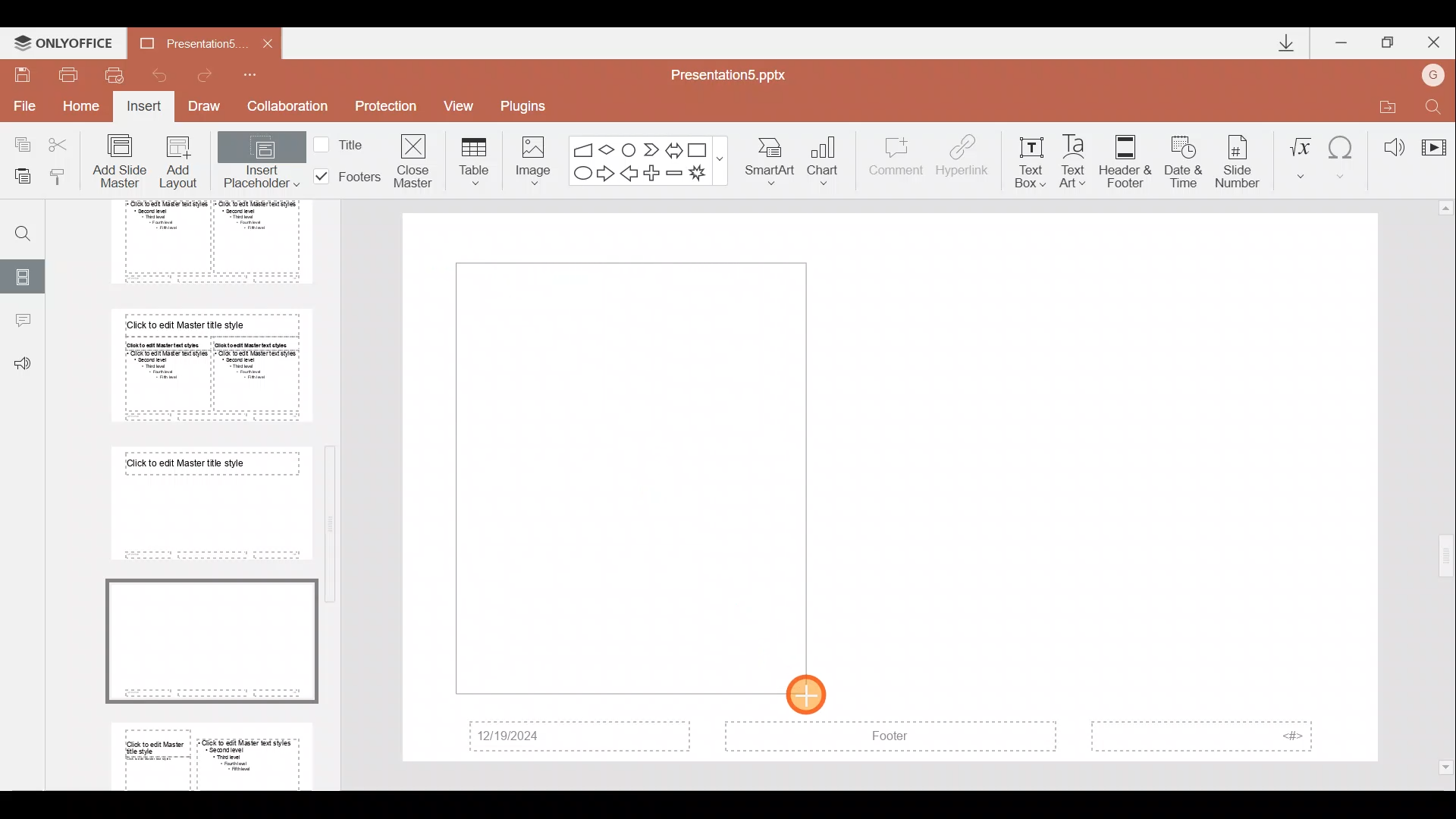 The width and height of the screenshot is (1456, 819). What do you see at coordinates (209, 108) in the screenshot?
I see `Draw` at bounding box center [209, 108].